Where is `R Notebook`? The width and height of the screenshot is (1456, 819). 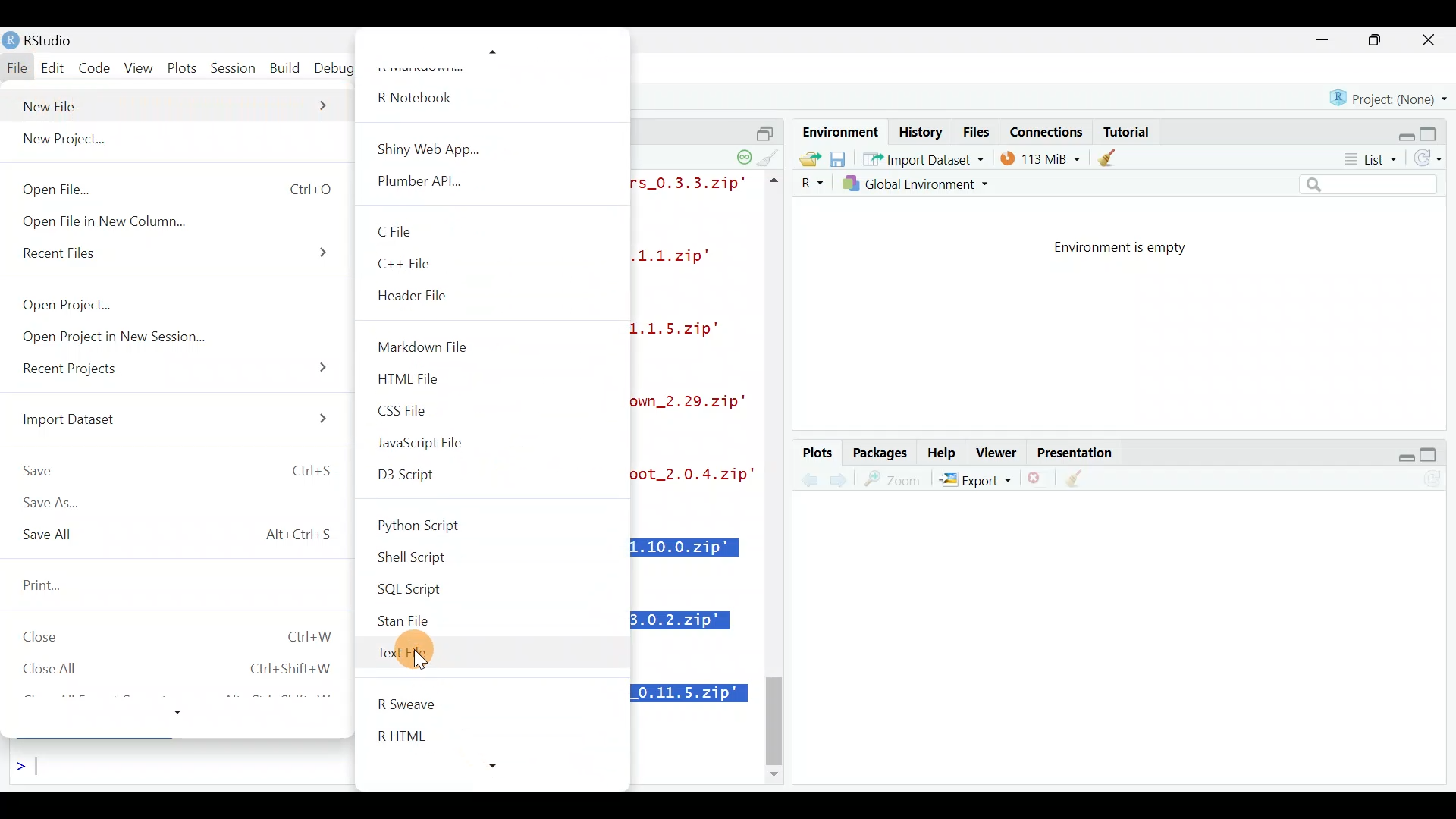
R Notebook is located at coordinates (420, 97).